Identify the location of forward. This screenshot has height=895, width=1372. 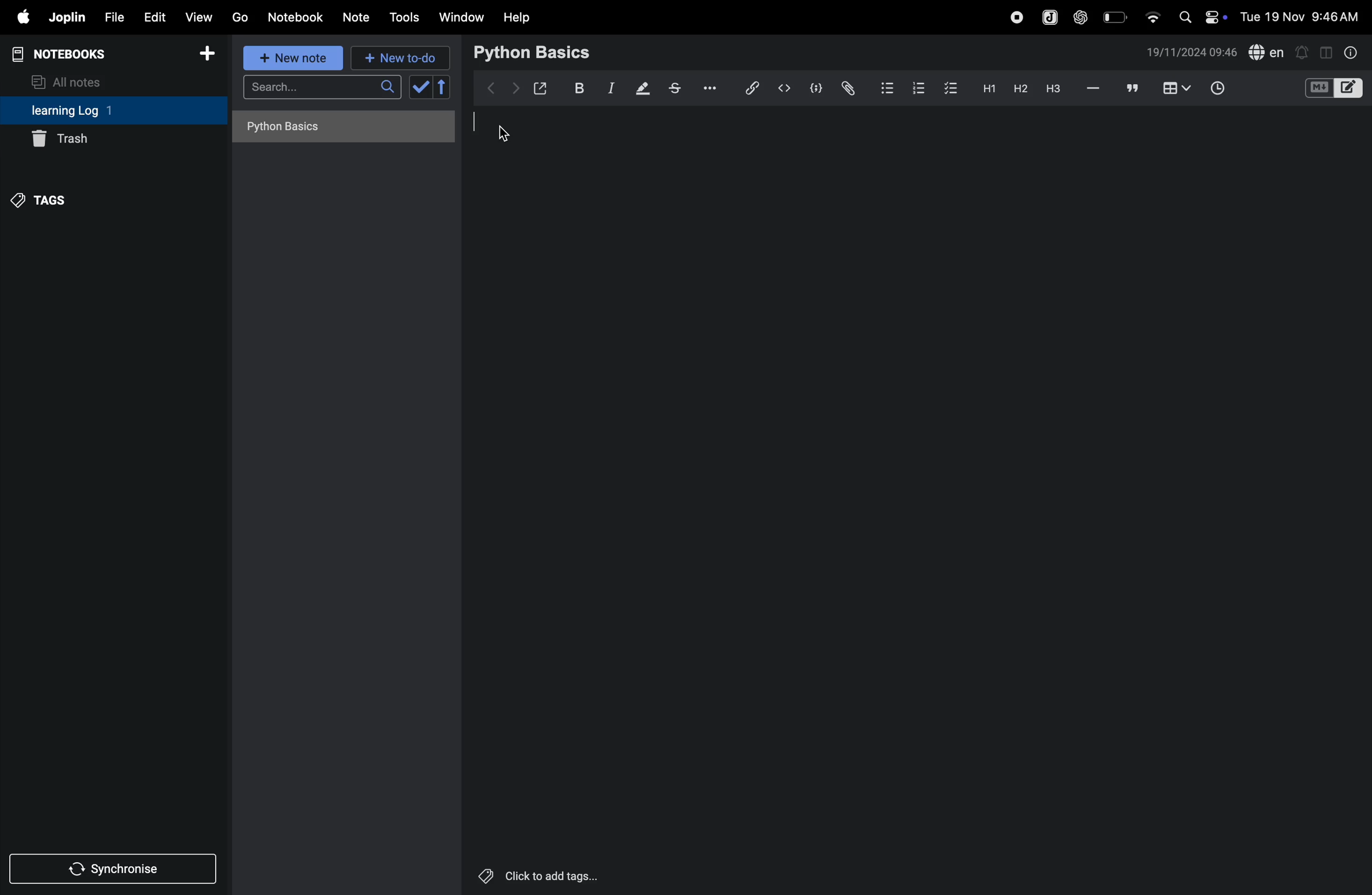
(515, 88).